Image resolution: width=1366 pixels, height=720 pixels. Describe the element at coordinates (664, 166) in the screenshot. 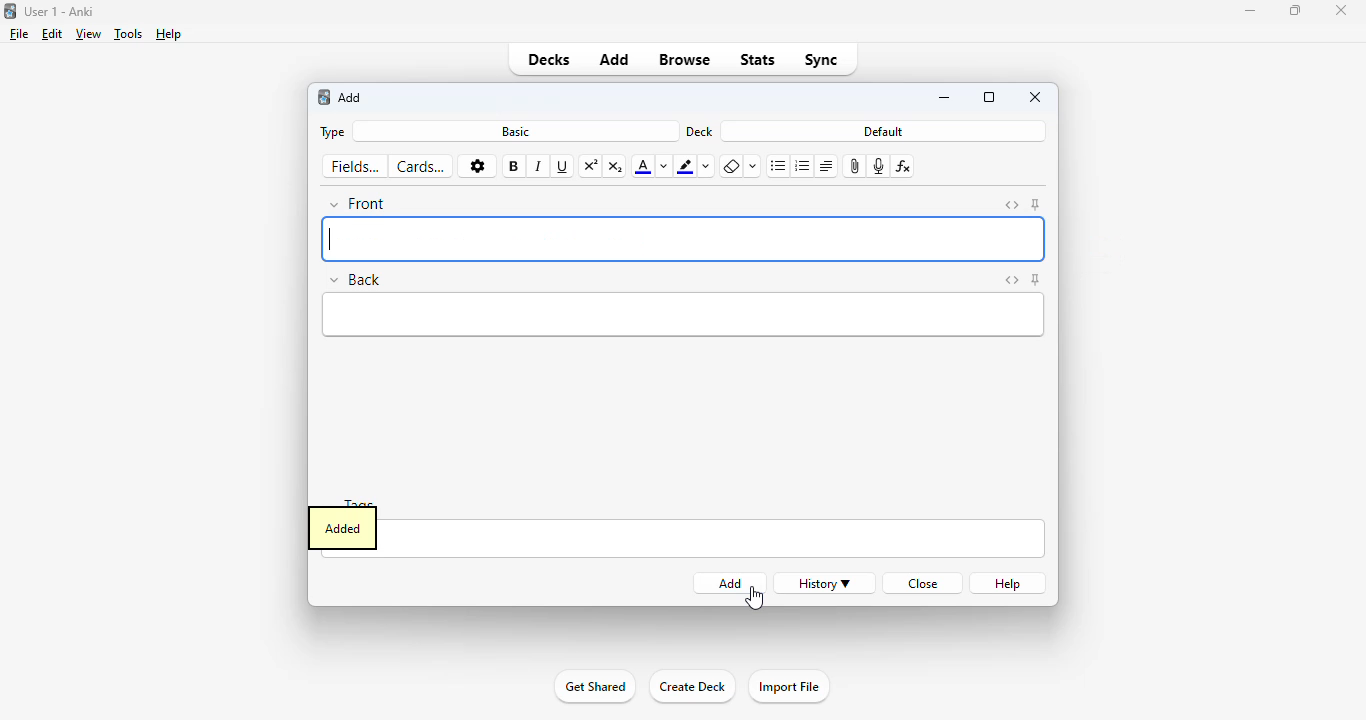

I see `change color` at that location.